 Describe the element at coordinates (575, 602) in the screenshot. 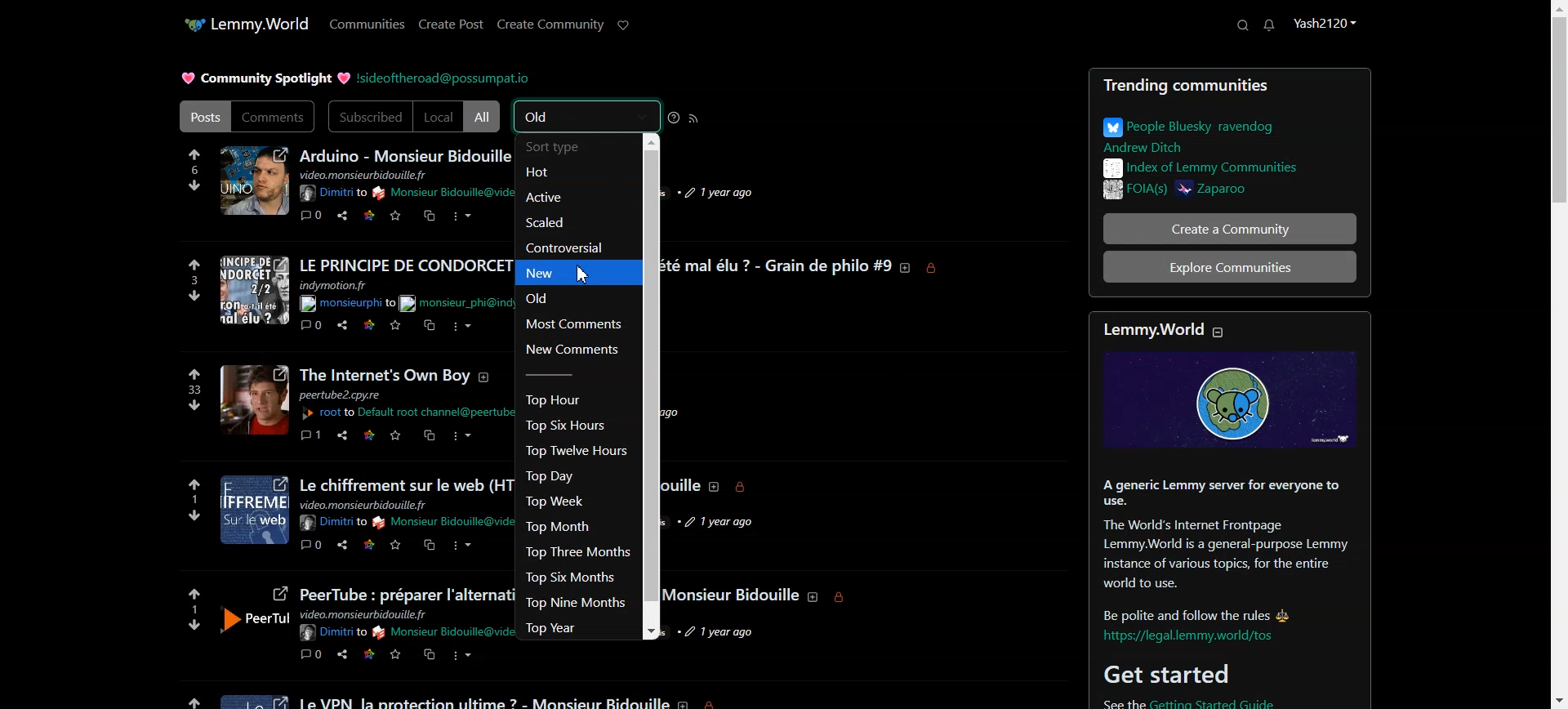

I see `Top Nine Month` at that location.